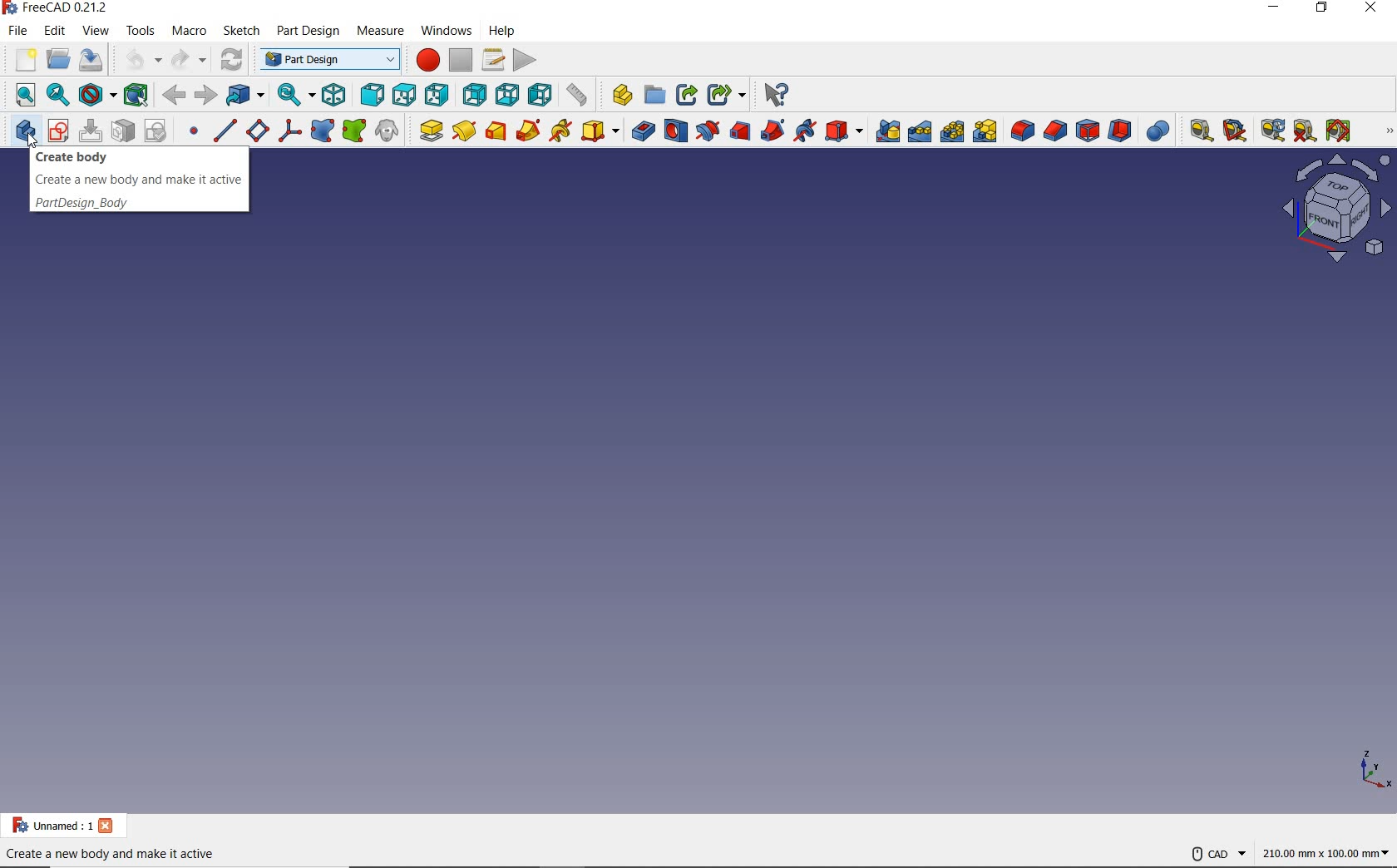 The width and height of the screenshot is (1397, 868). What do you see at coordinates (187, 57) in the screenshot?
I see `redo` at bounding box center [187, 57].